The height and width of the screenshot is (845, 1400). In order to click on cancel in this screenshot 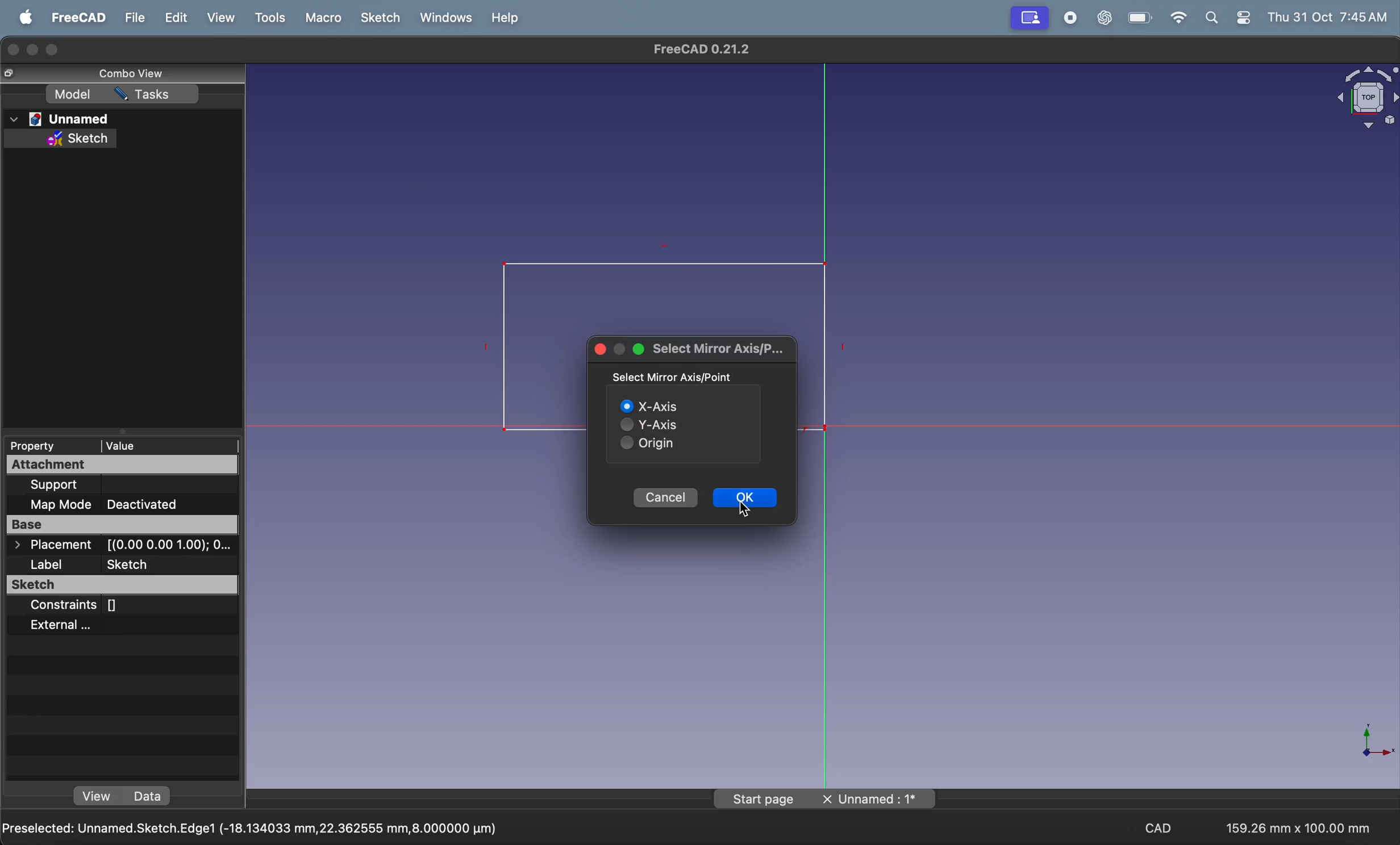, I will do `click(666, 499)`.